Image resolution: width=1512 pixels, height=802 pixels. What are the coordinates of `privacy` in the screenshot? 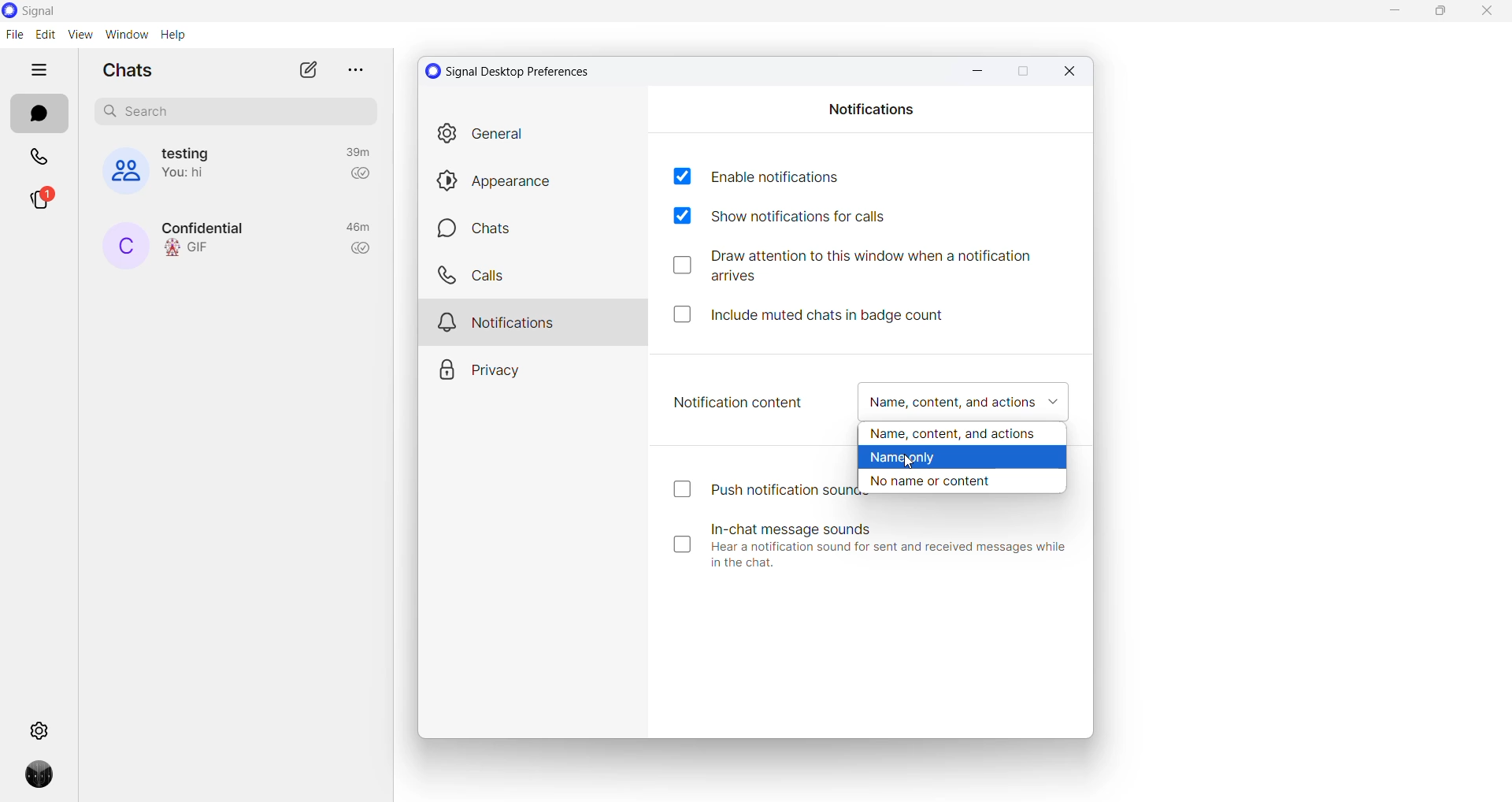 It's located at (531, 365).